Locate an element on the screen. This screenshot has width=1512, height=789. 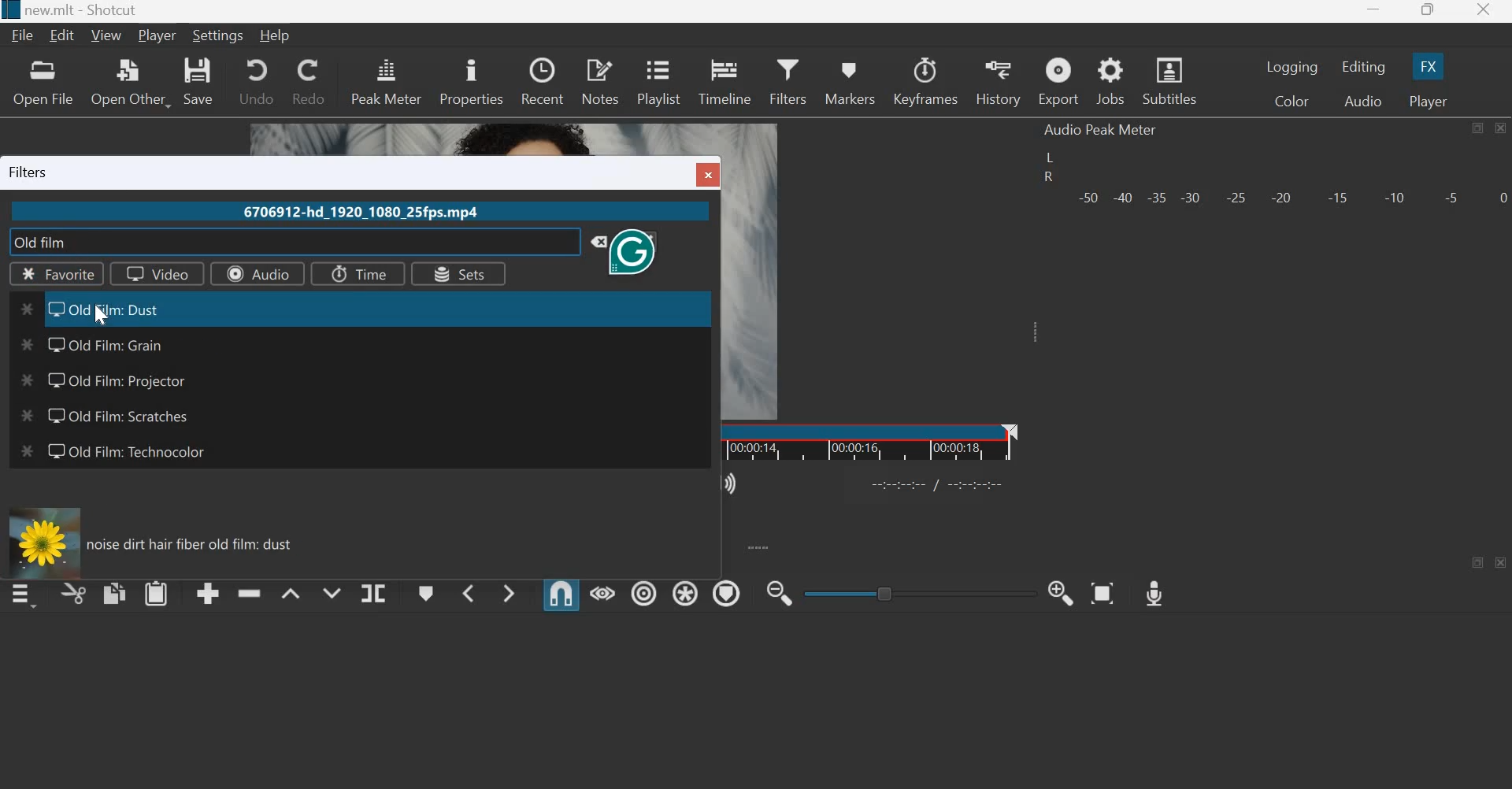
Audio Peak Meter is located at coordinates (1101, 130).